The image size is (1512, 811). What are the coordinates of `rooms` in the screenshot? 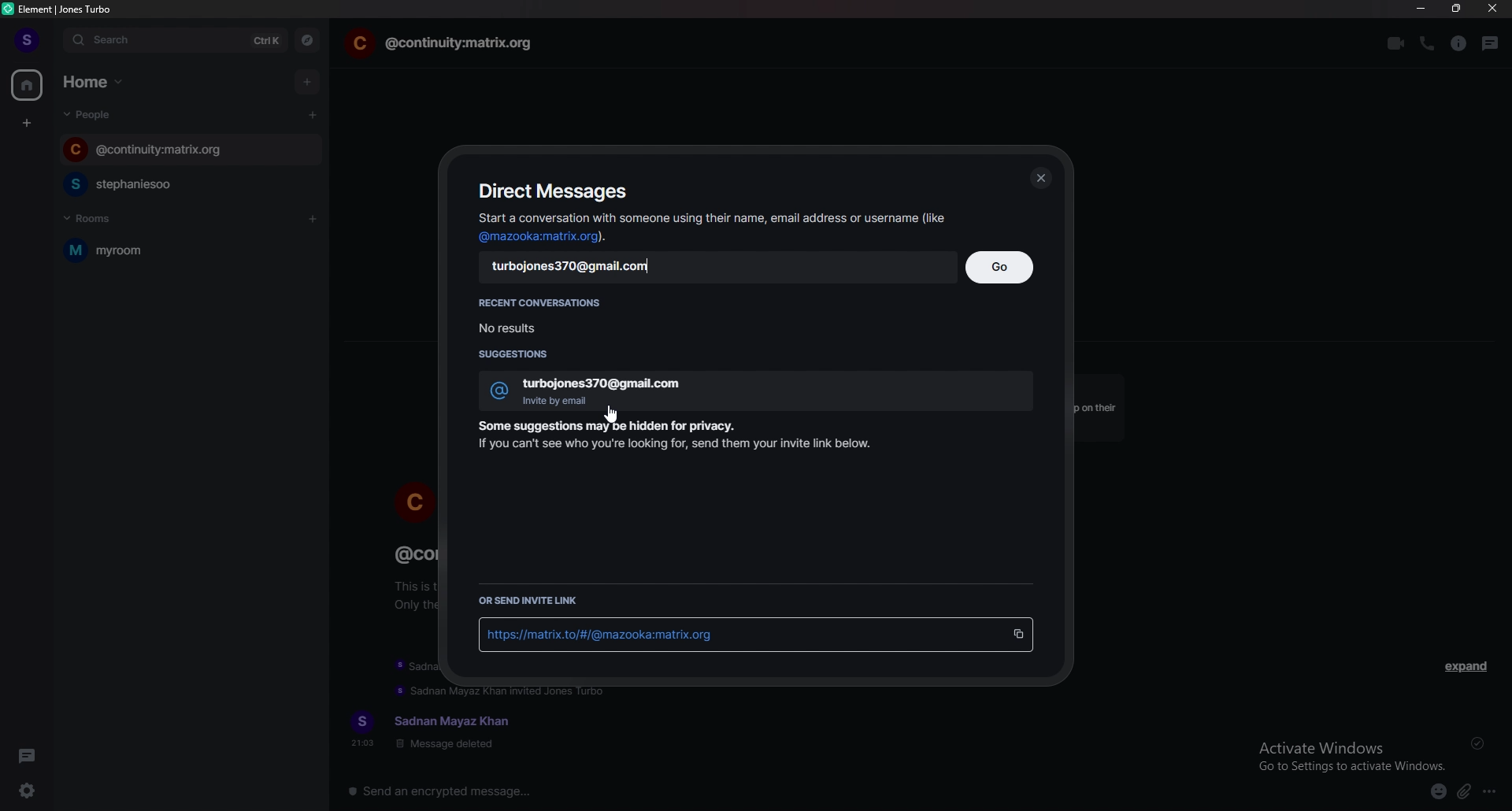 It's located at (107, 218).